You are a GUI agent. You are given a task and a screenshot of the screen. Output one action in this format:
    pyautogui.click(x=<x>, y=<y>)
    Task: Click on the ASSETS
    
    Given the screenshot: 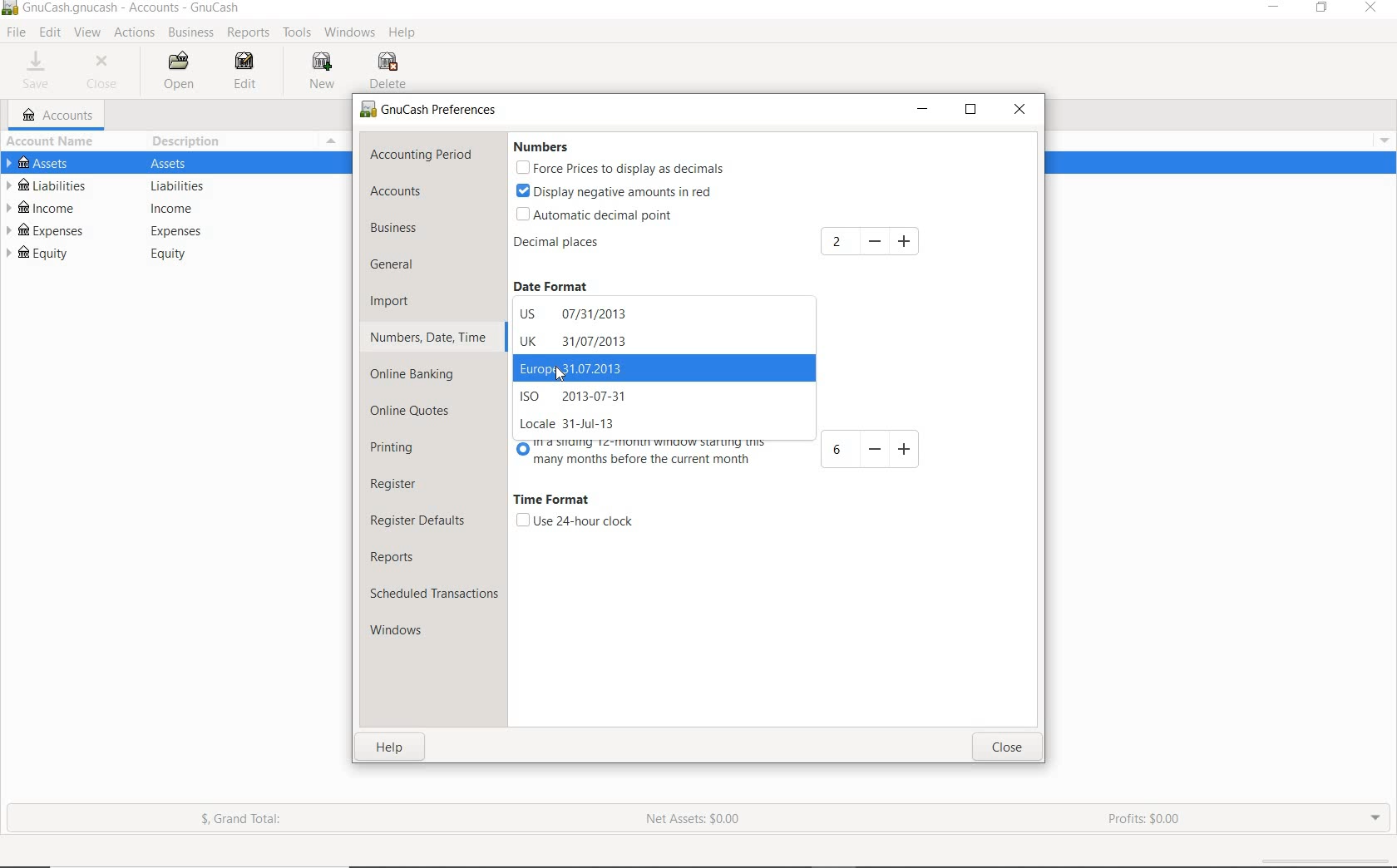 What is the action you would take?
    pyautogui.click(x=175, y=165)
    